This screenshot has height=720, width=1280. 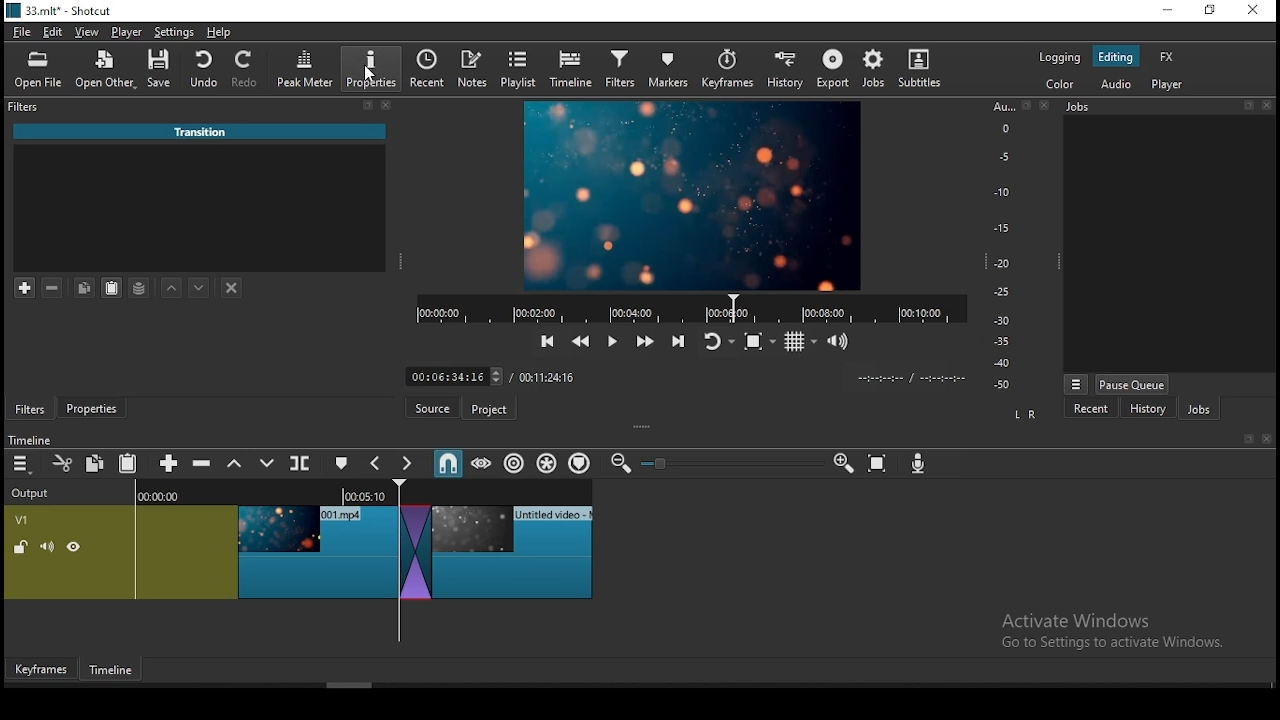 I want to click on lift, so click(x=235, y=464).